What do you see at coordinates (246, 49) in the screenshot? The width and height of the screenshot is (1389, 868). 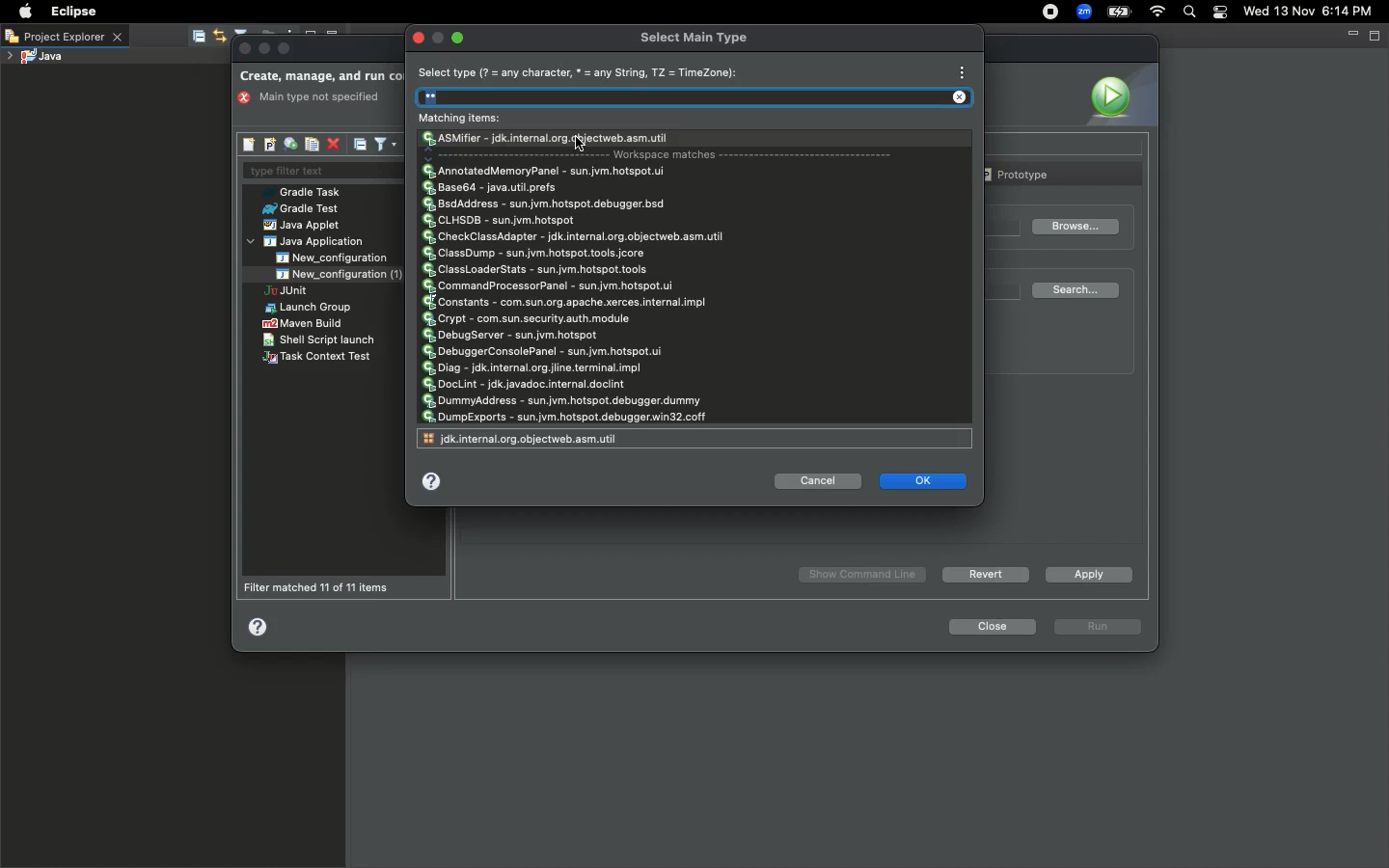 I see `Close` at bounding box center [246, 49].